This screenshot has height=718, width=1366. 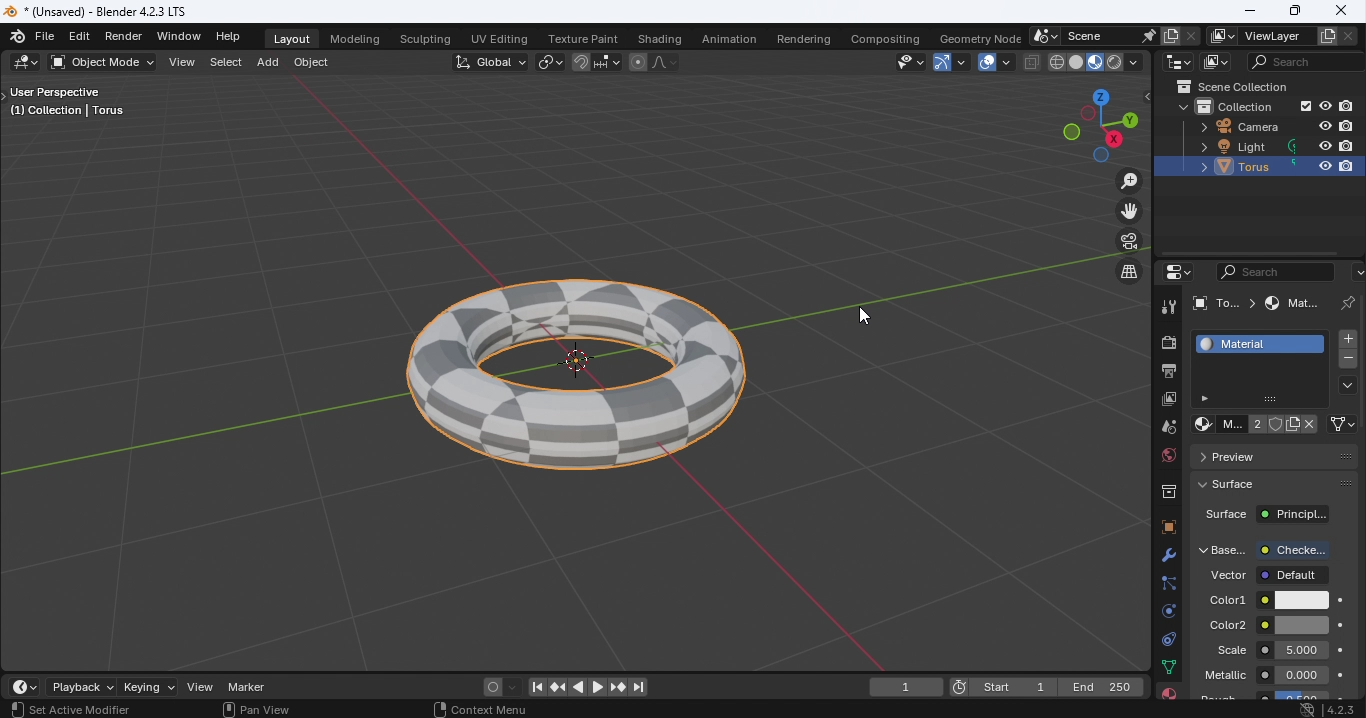 I want to click on Active modifier, so click(x=89, y=710).